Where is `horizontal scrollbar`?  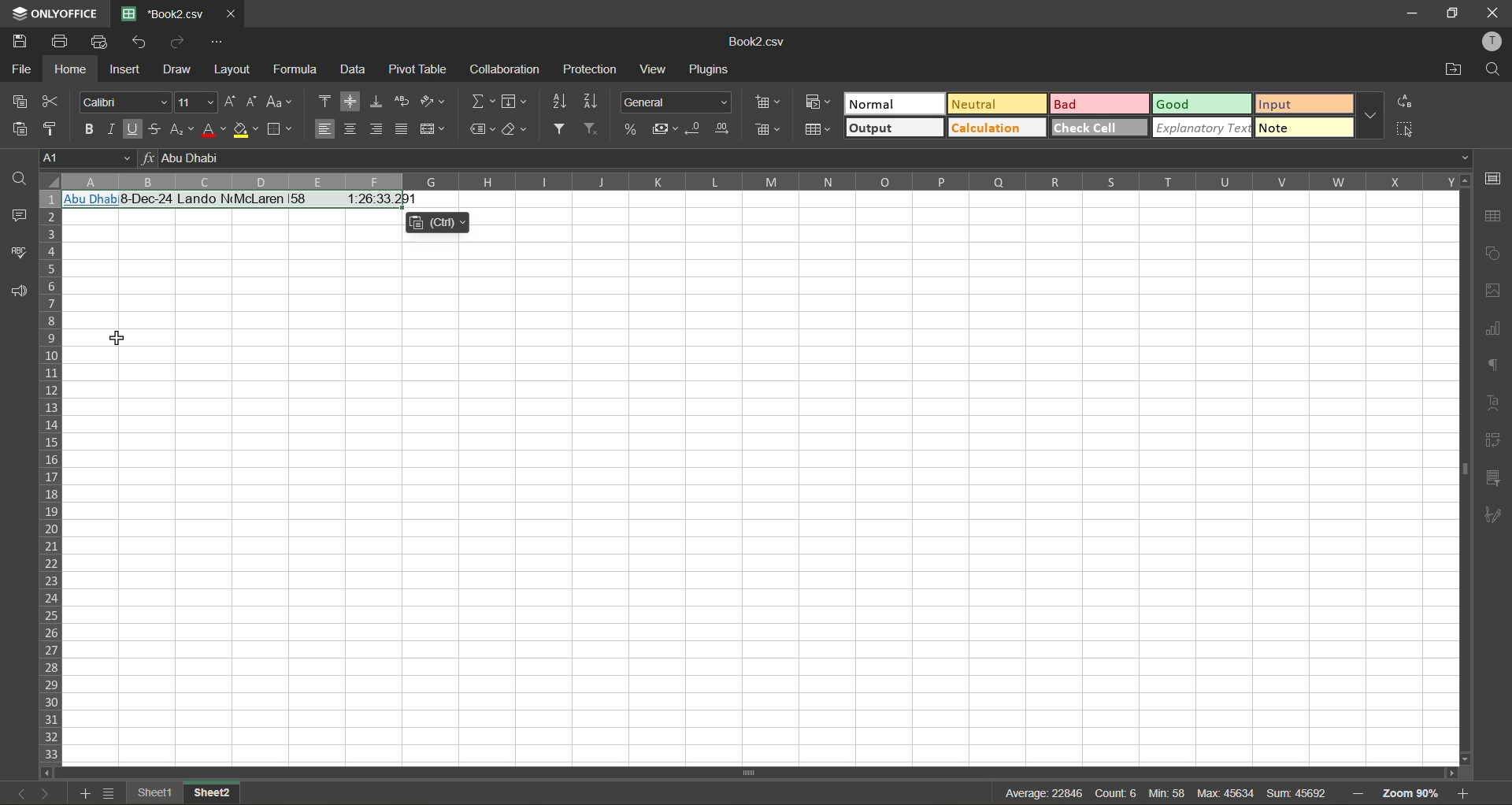 horizontal scrollbar is located at coordinates (754, 772).